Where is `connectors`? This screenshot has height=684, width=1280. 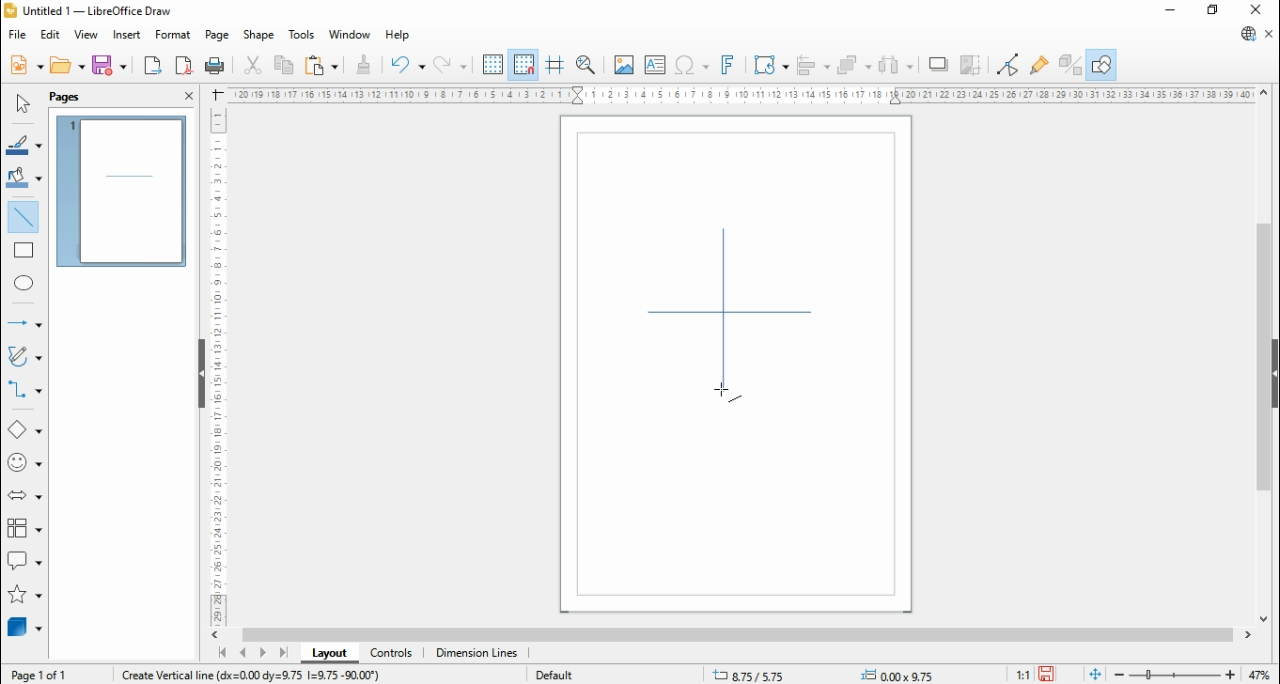 connectors is located at coordinates (24, 388).